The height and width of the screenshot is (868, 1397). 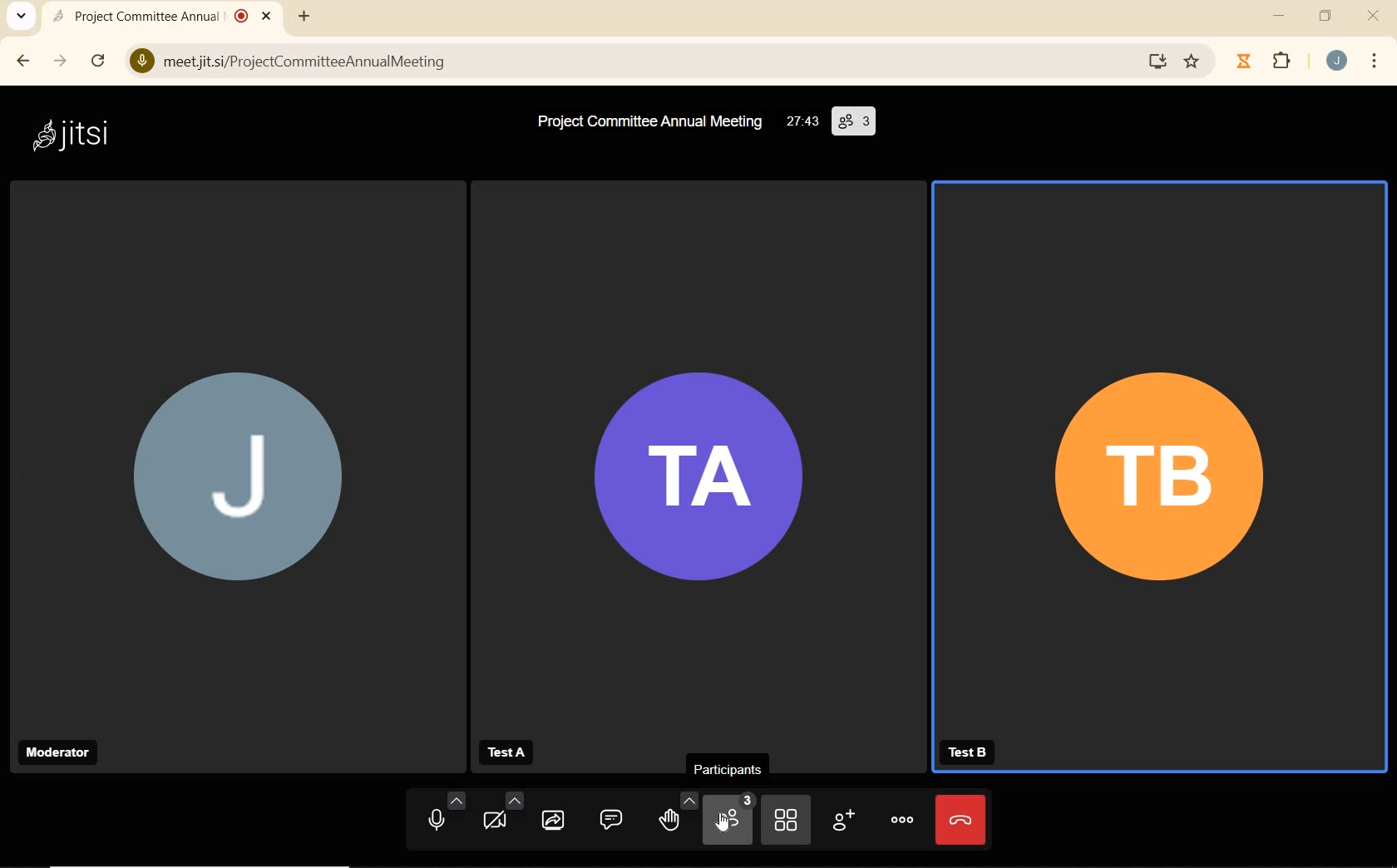 What do you see at coordinates (731, 819) in the screenshot?
I see `PARTICIPANTS` at bounding box center [731, 819].